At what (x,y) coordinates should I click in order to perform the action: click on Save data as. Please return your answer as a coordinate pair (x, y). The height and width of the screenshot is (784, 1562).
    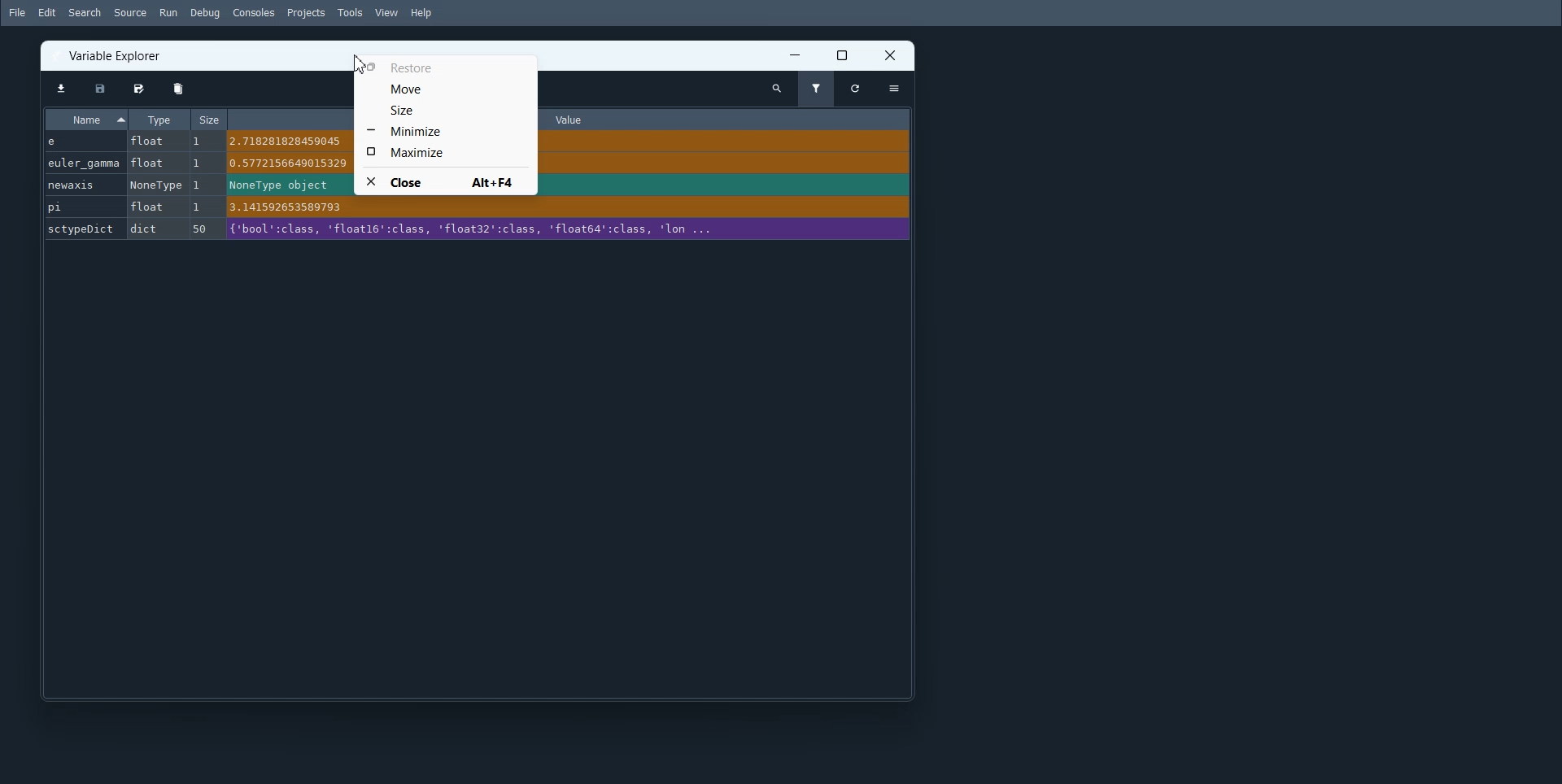
    Looking at the image, I should click on (138, 88).